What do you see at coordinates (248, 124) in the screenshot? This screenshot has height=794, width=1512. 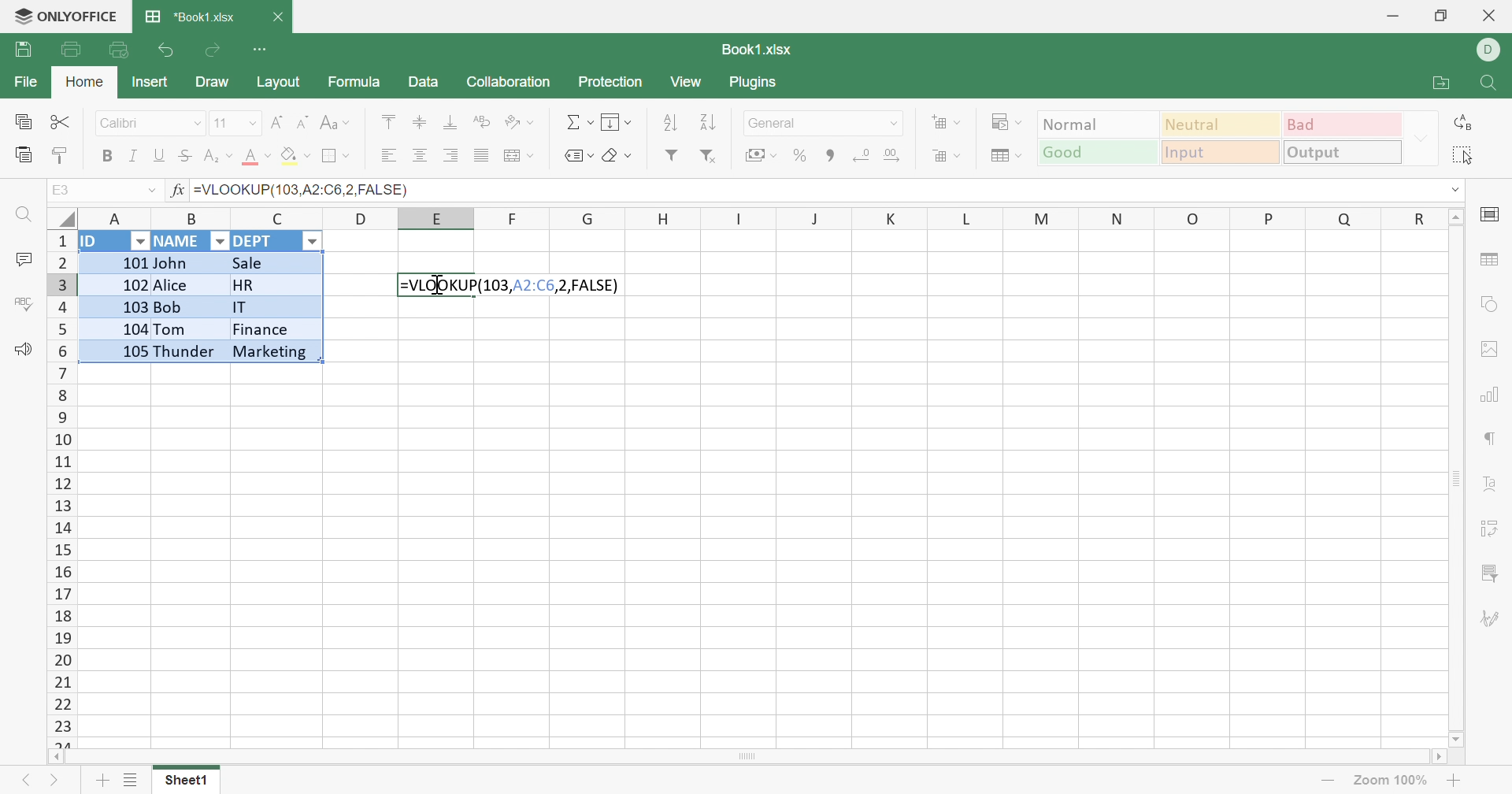 I see `Drop Down` at bounding box center [248, 124].